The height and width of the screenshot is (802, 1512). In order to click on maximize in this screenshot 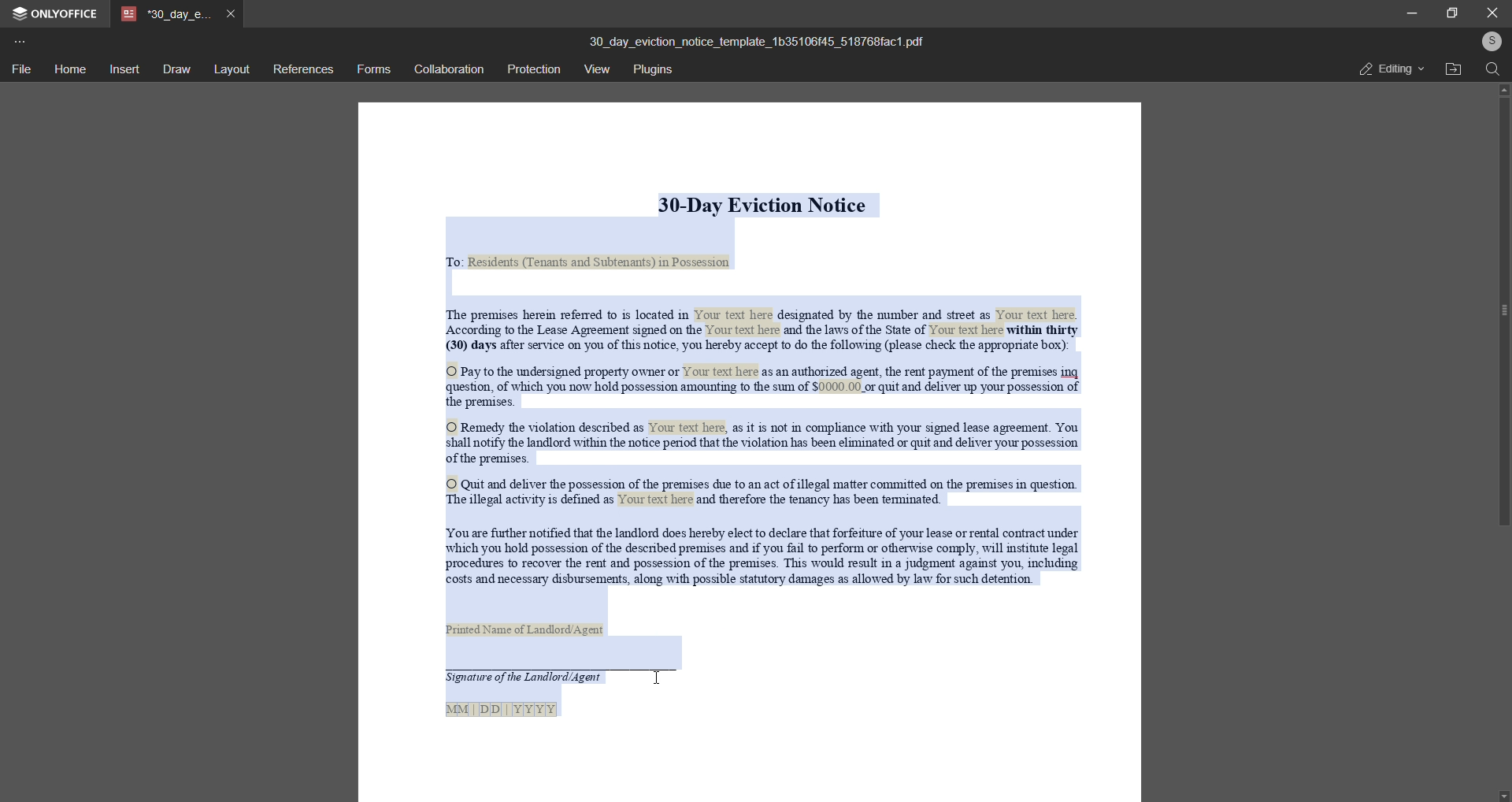, I will do `click(1452, 13)`.